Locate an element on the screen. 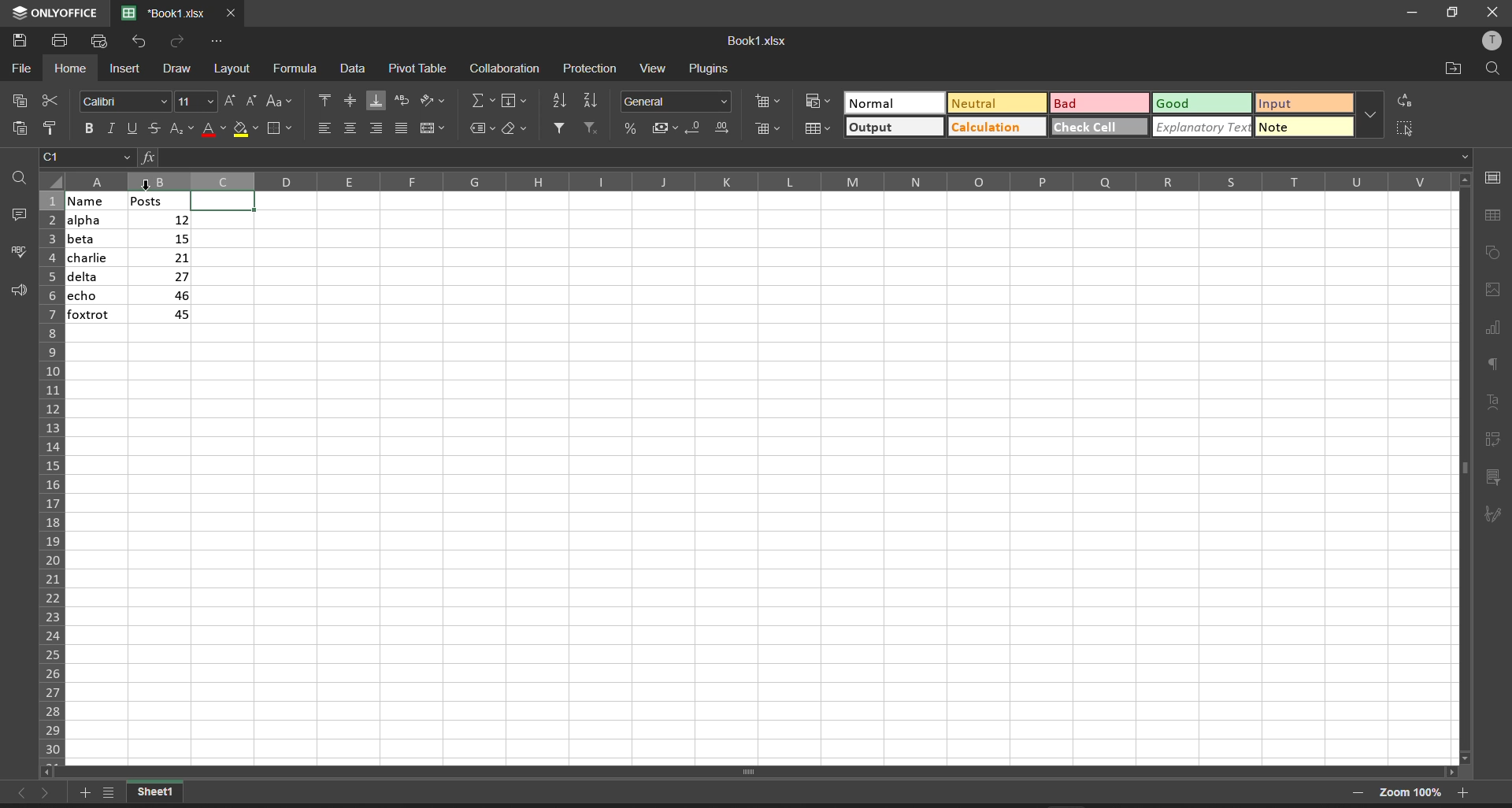  bold is located at coordinates (85, 131).